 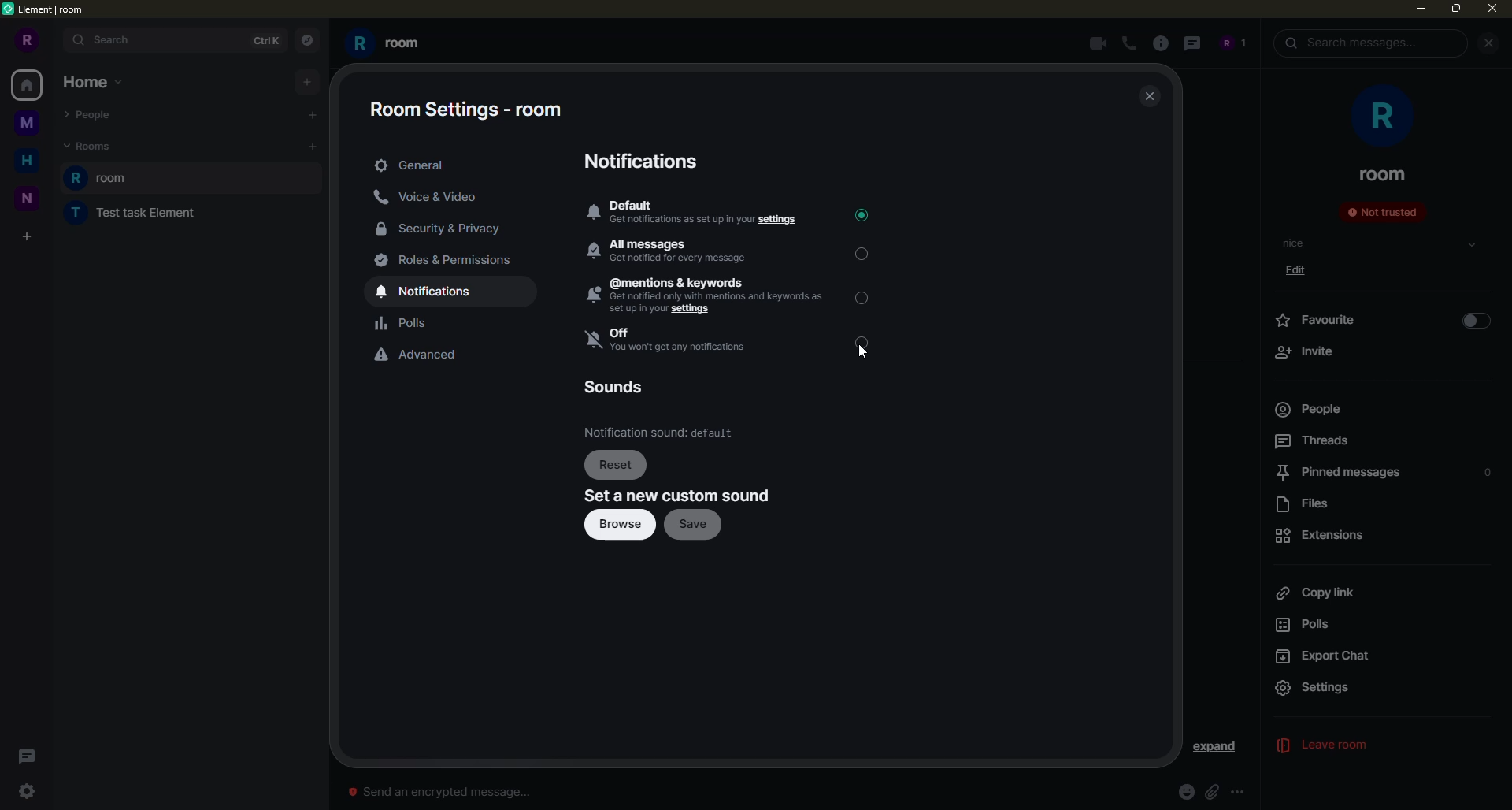 What do you see at coordinates (1310, 504) in the screenshot?
I see `files` at bounding box center [1310, 504].